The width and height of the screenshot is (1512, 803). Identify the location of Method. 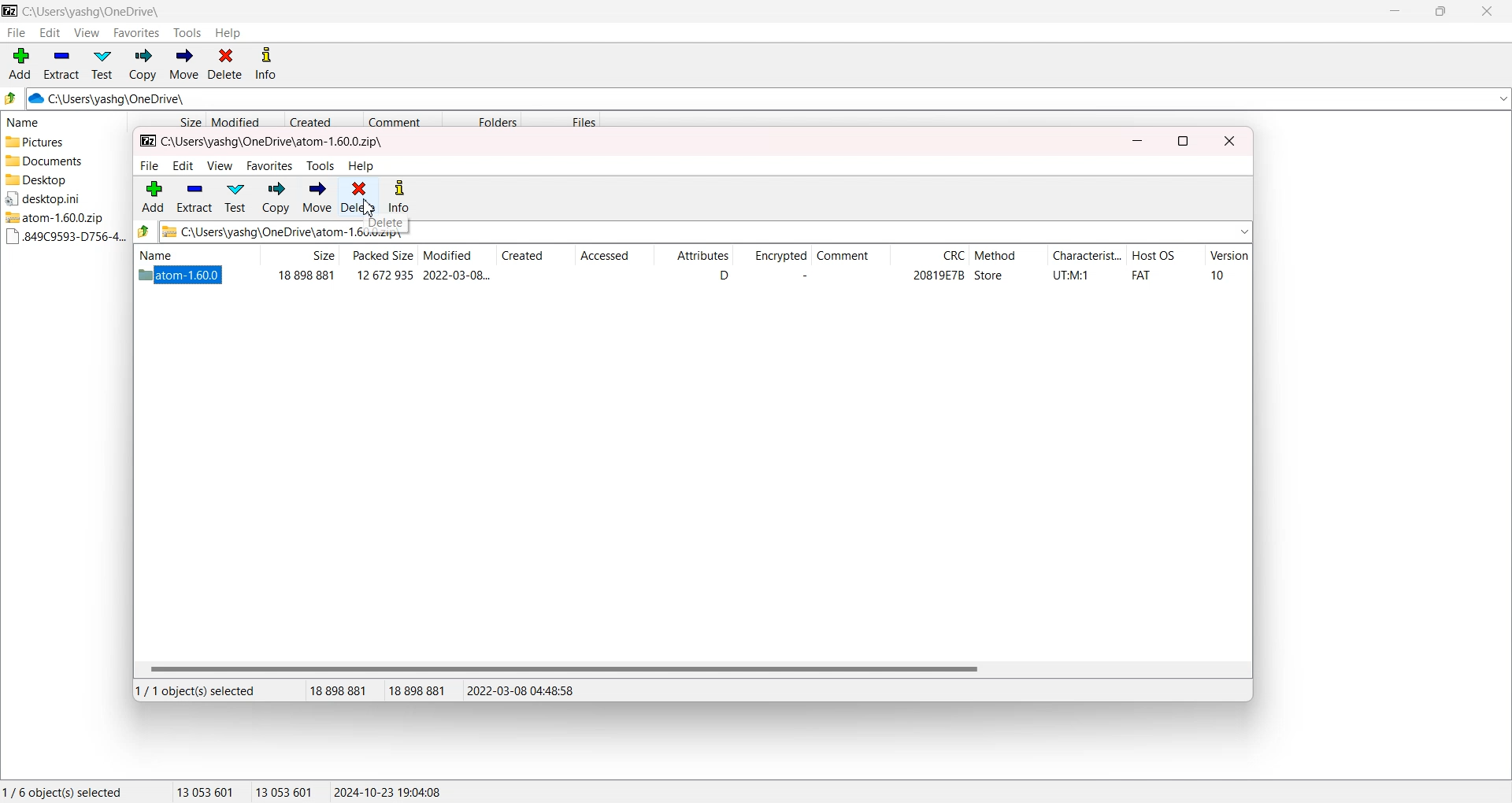
(1007, 257).